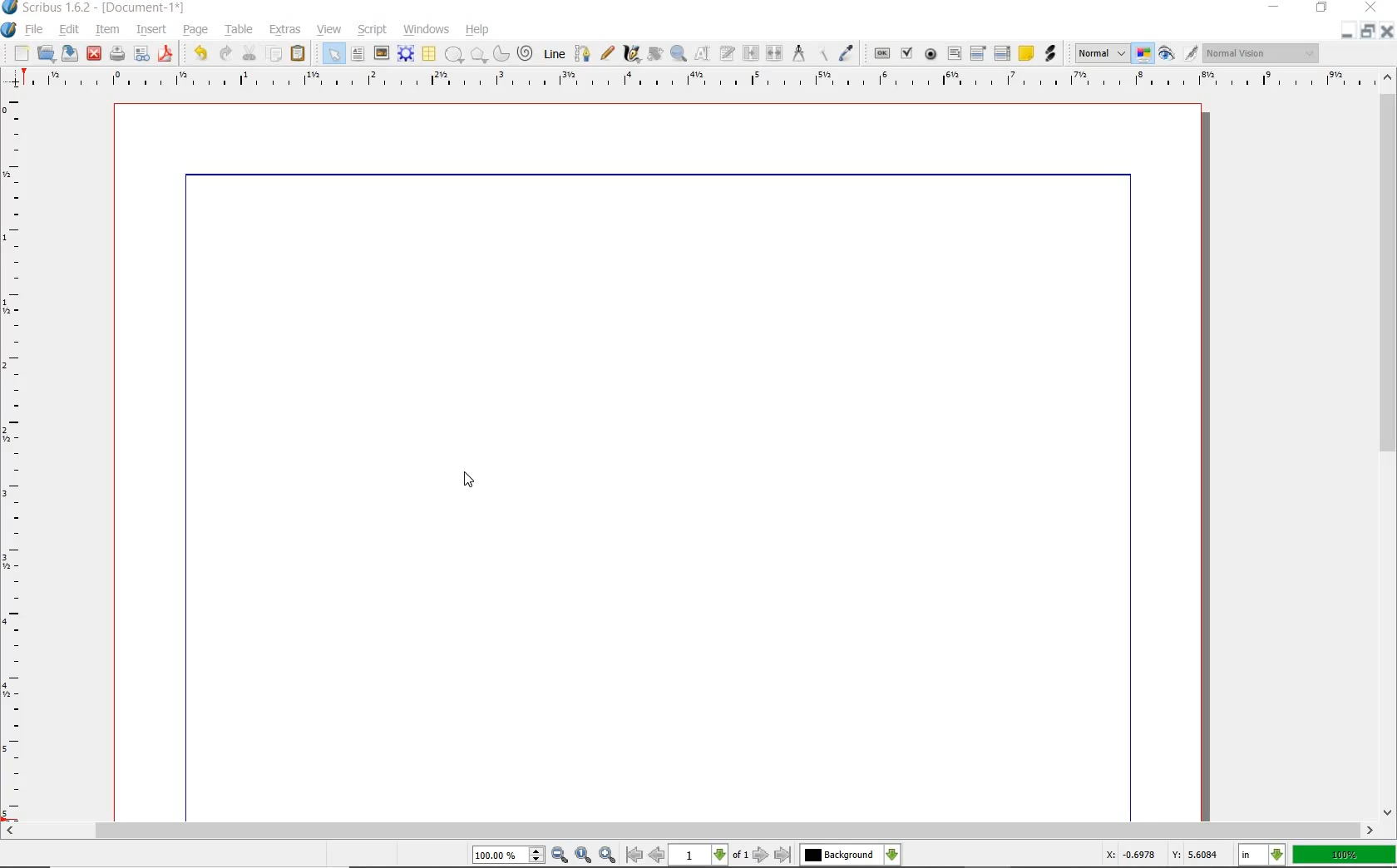 The width and height of the screenshot is (1397, 868). What do you see at coordinates (470, 480) in the screenshot?
I see `CURSOR` at bounding box center [470, 480].